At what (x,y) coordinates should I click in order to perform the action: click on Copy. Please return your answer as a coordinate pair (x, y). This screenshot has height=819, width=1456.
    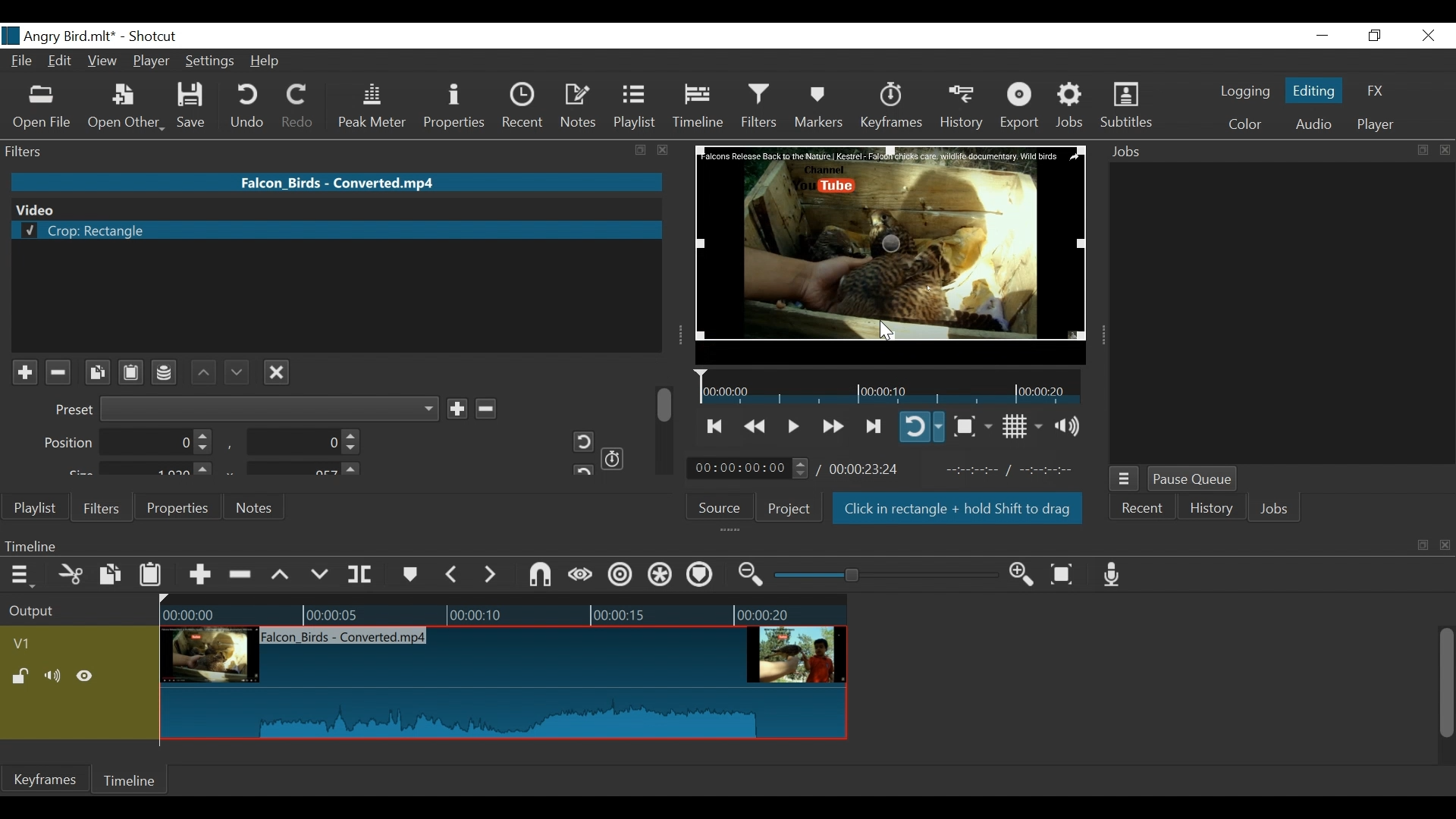
    Looking at the image, I should click on (112, 577).